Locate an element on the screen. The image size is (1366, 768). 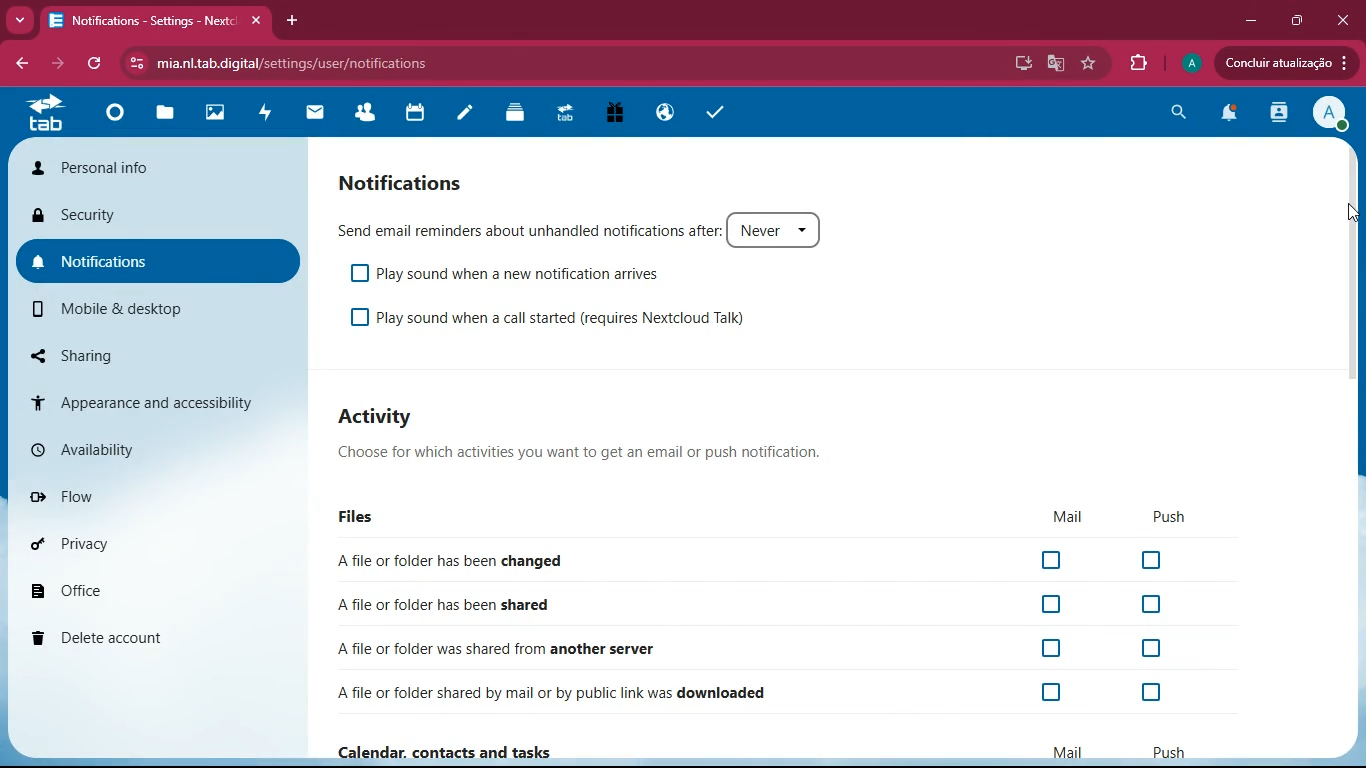
back is located at coordinates (19, 64).